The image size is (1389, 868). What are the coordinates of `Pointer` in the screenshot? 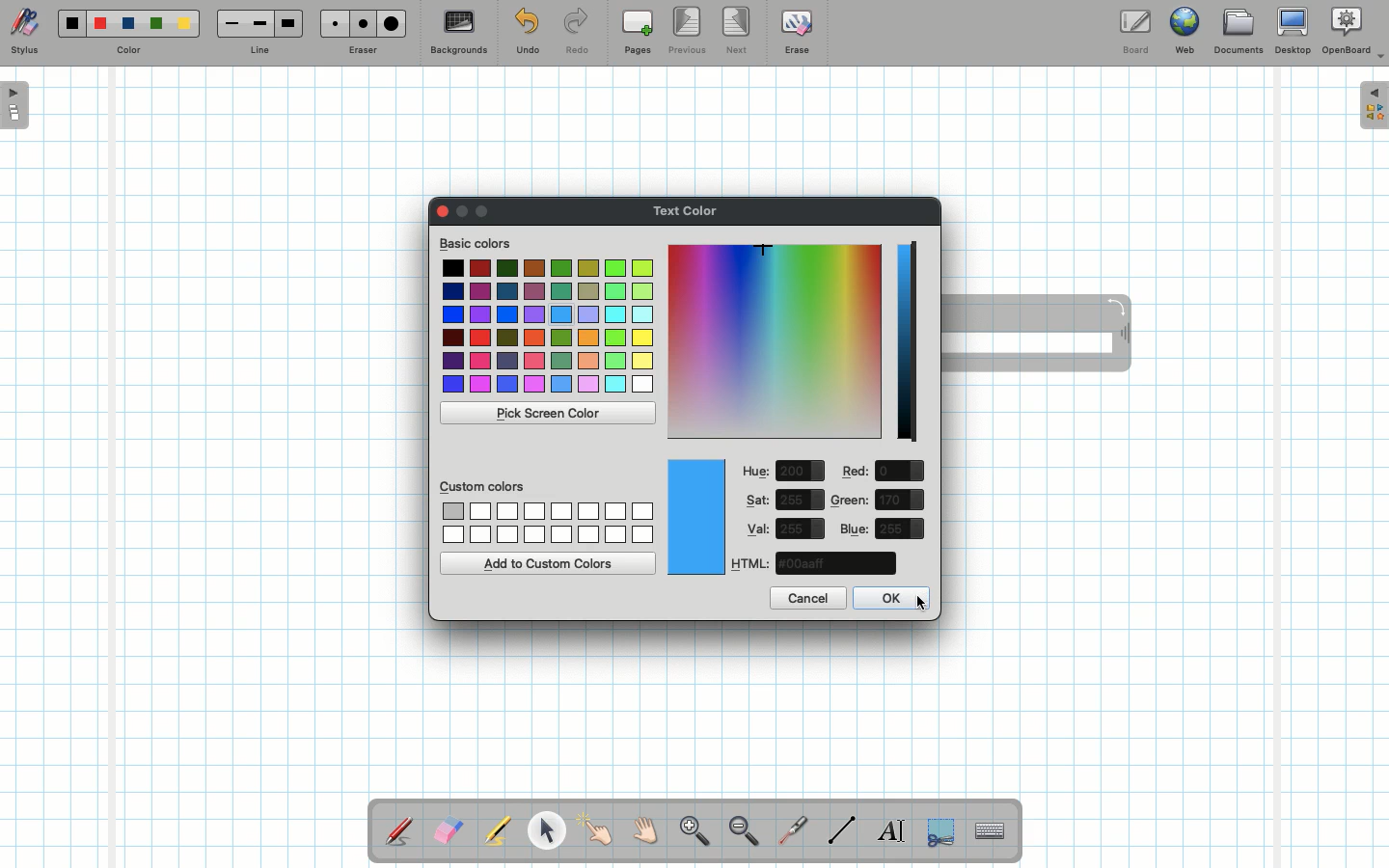 It's located at (546, 830).